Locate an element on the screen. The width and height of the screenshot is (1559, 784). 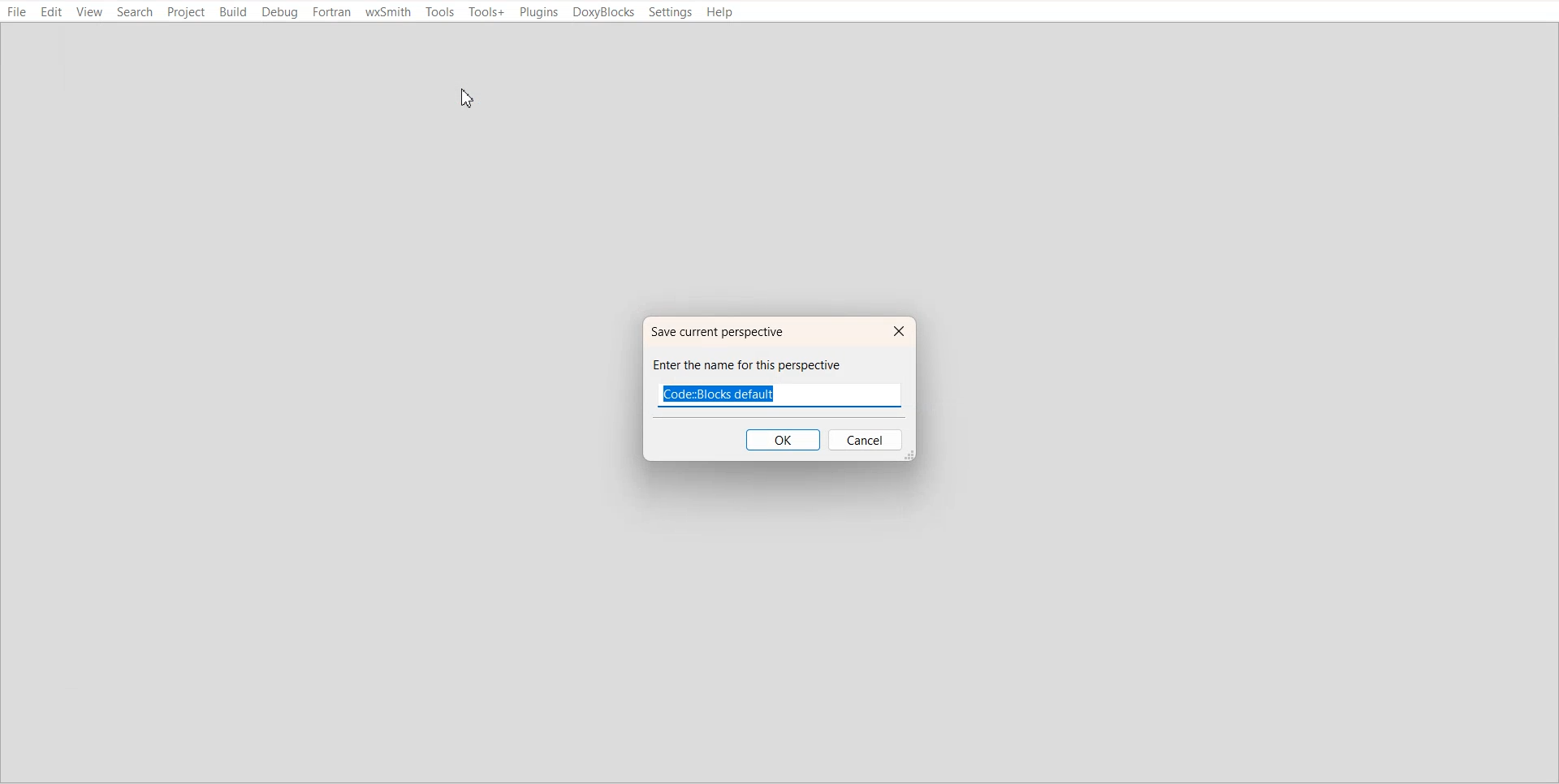
wxSmith is located at coordinates (388, 12).